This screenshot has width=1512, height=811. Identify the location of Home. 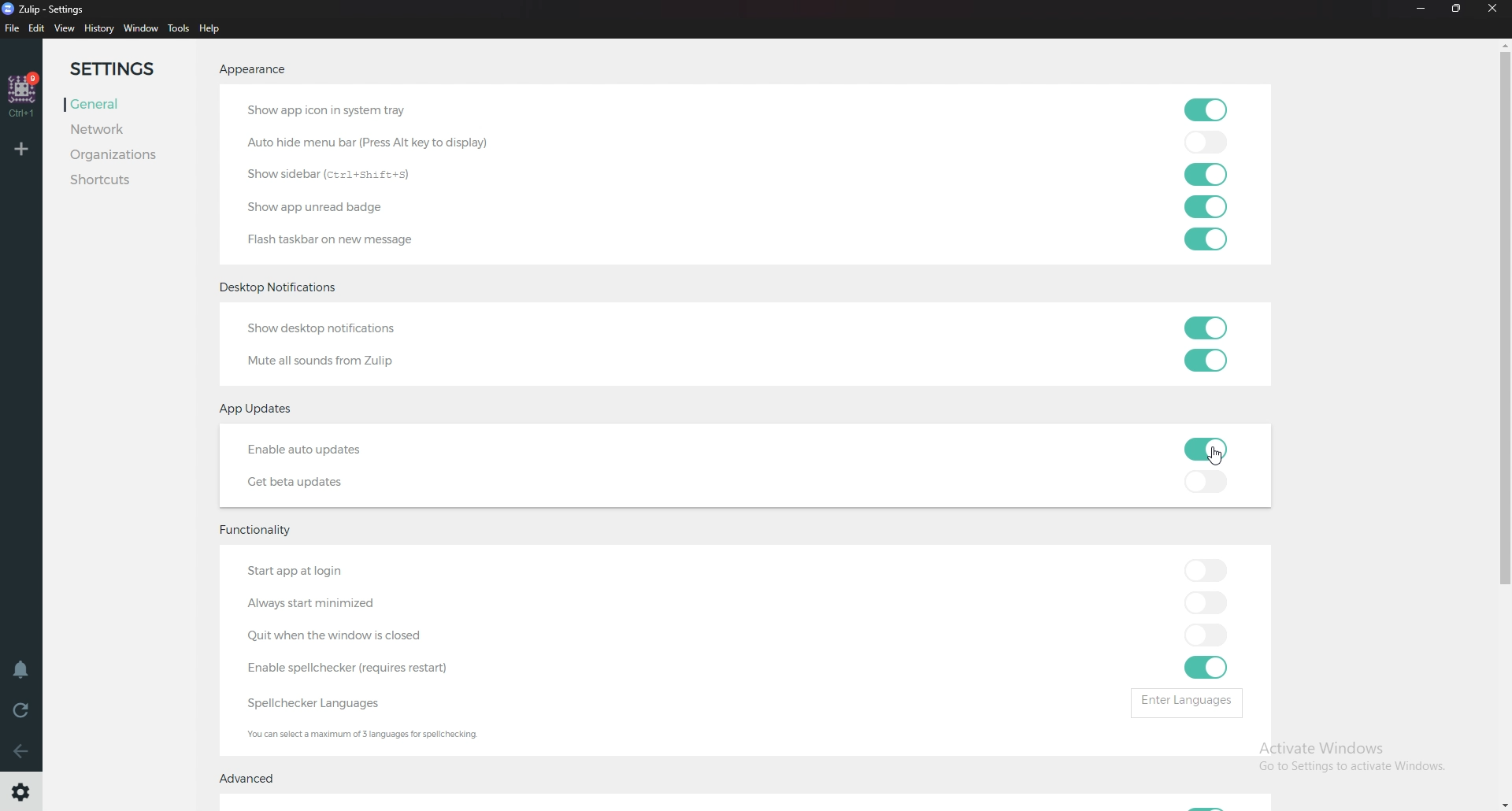
(24, 94).